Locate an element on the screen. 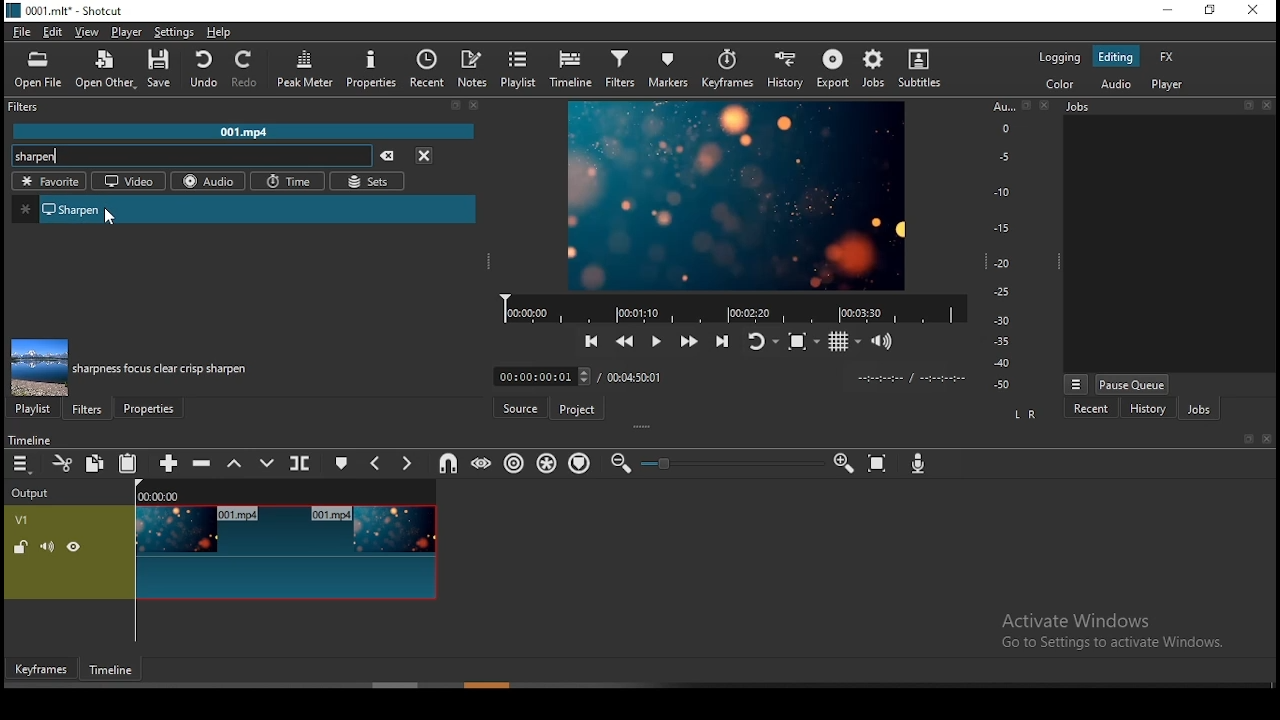  source is located at coordinates (519, 406).